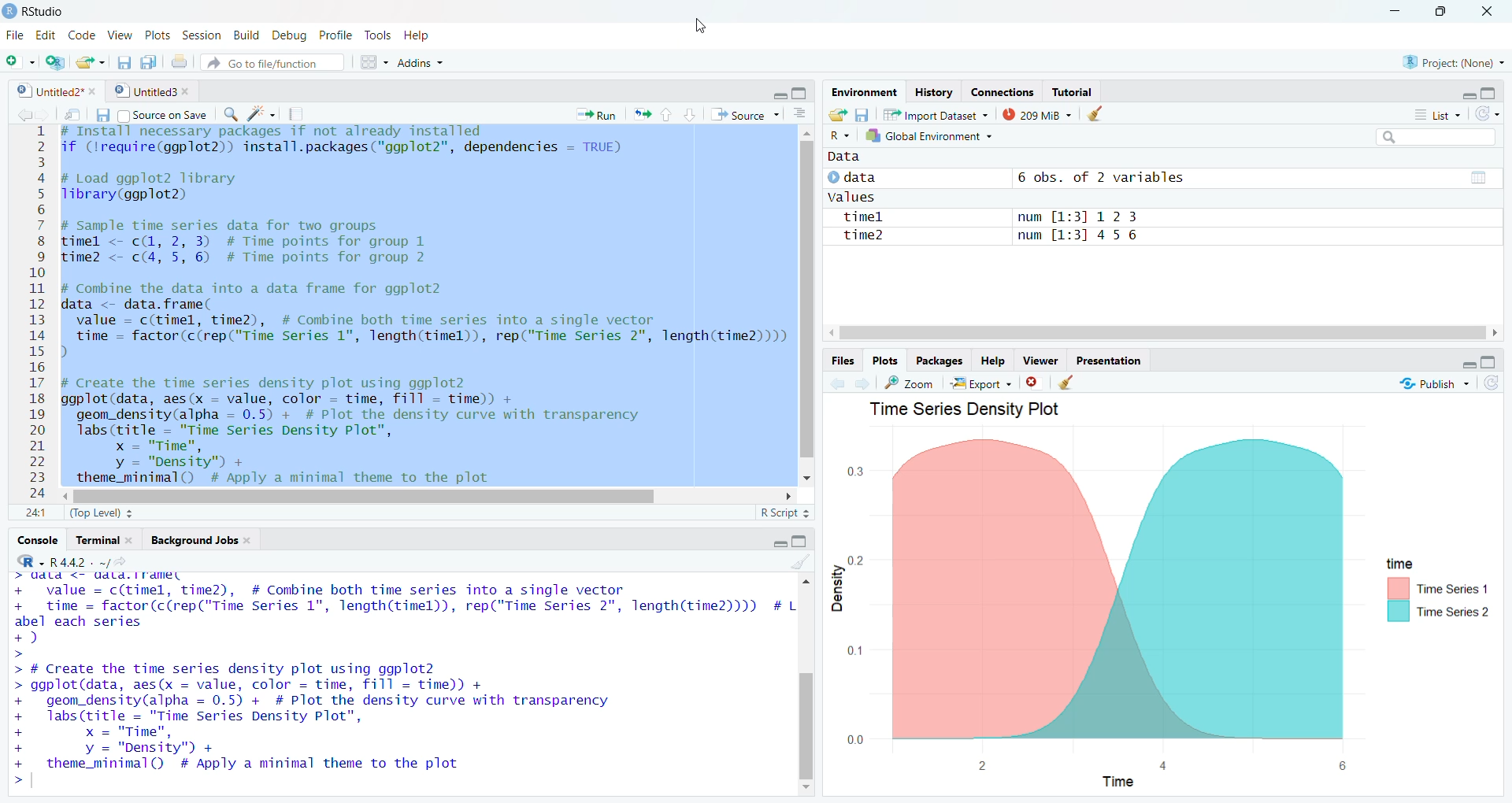 Image resolution: width=1512 pixels, height=803 pixels. I want to click on Clean, so click(799, 561).